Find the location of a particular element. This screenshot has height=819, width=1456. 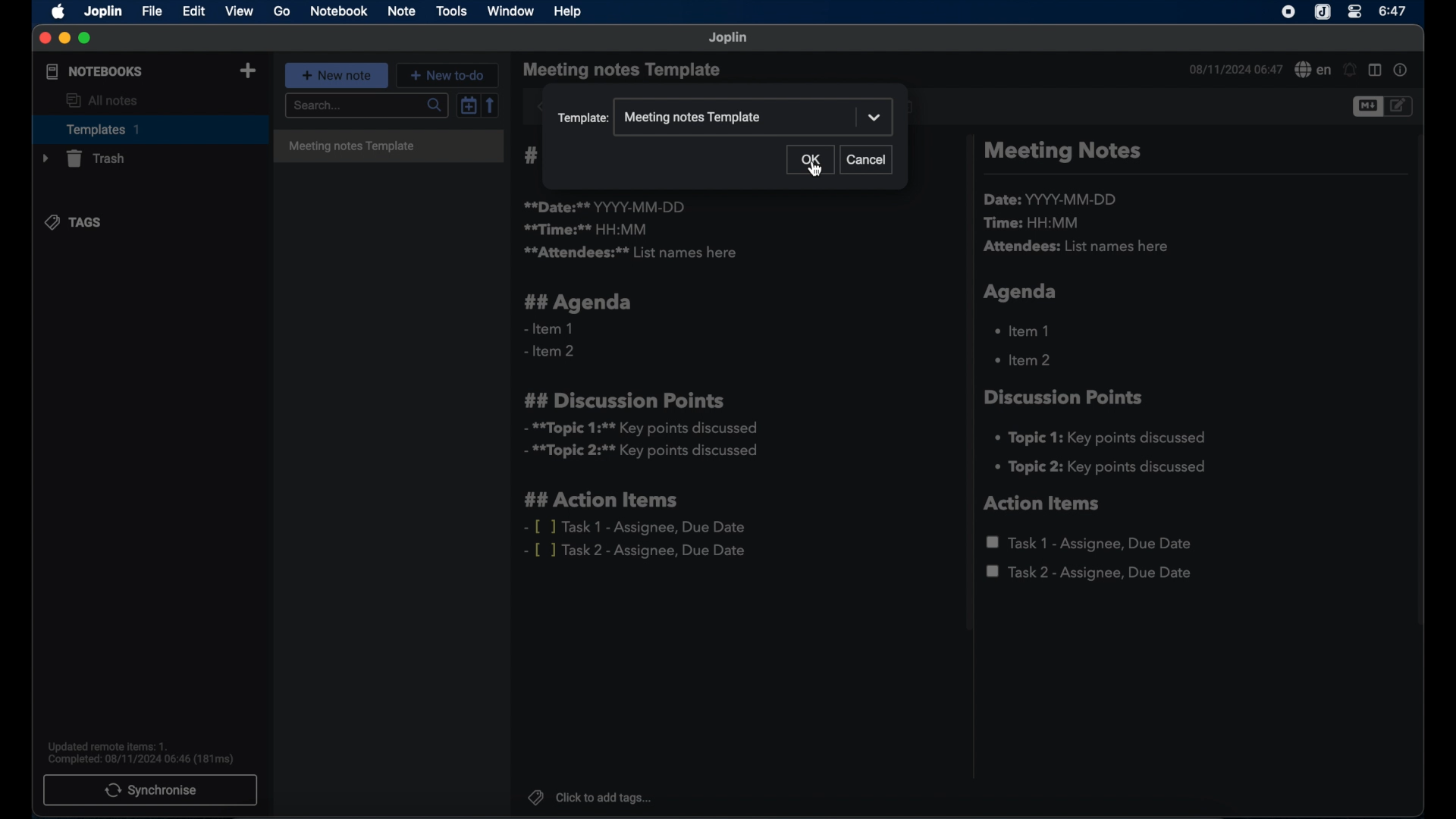

all notes is located at coordinates (102, 101).